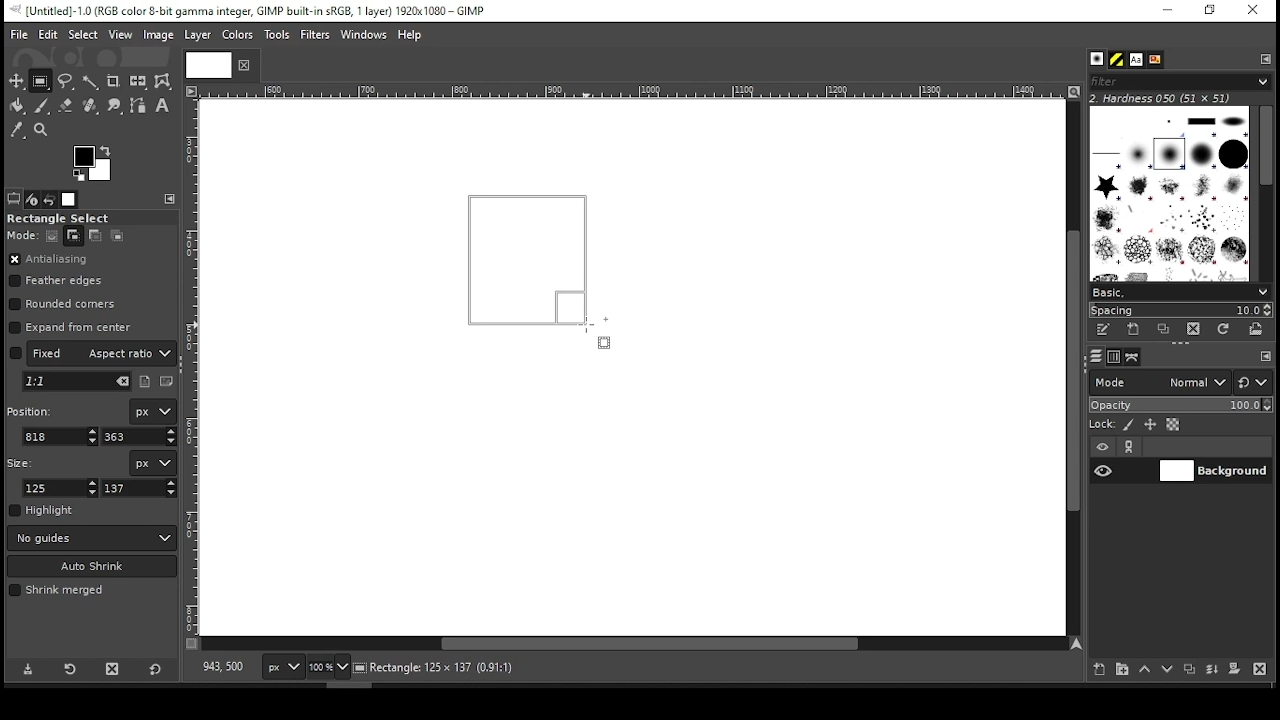 Image resolution: width=1280 pixels, height=720 pixels. What do you see at coordinates (1212, 11) in the screenshot?
I see `restore` at bounding box center [1212, 11].